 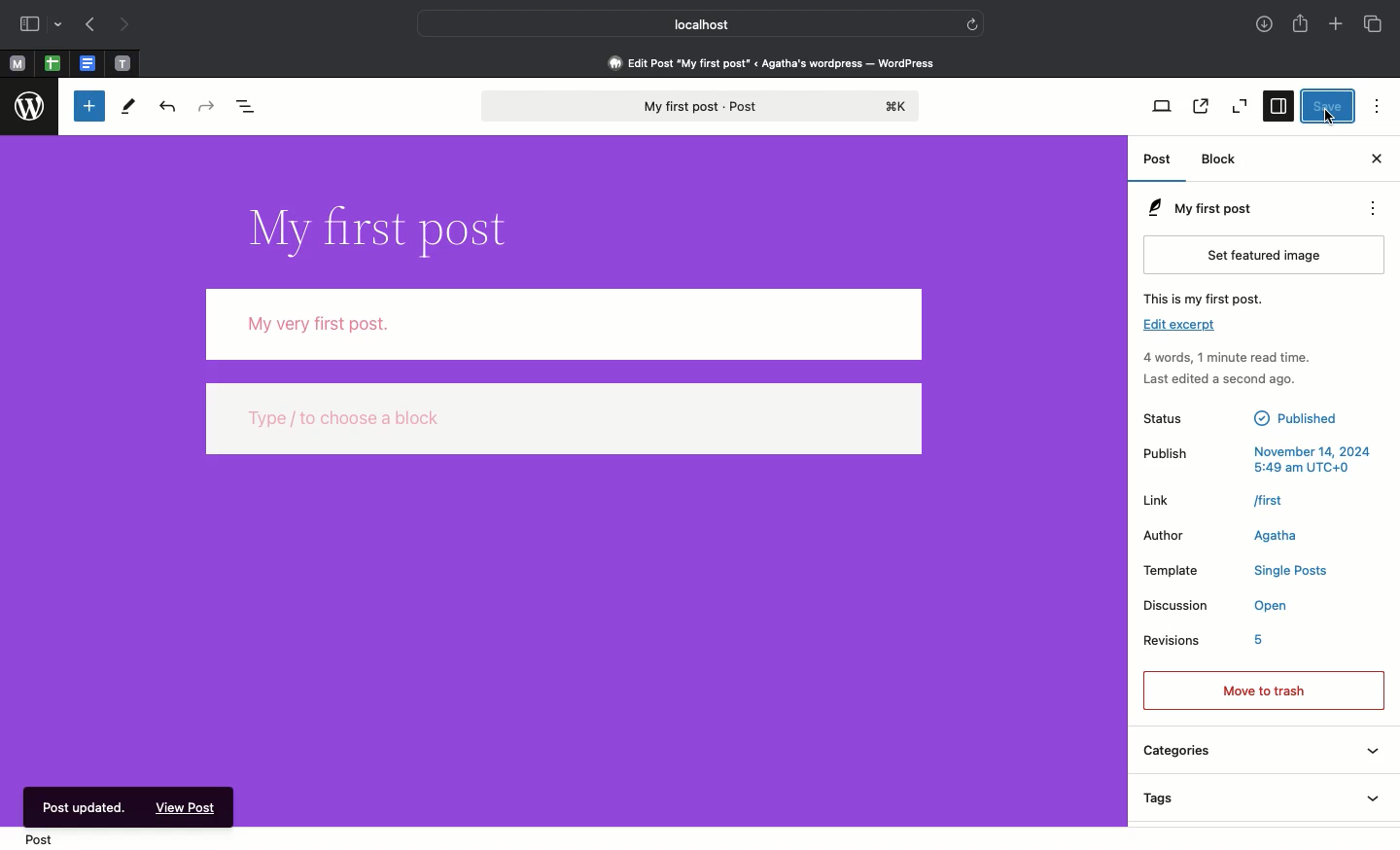 What do you see at coordinates (1381, 209) in the screenshot?
I see `Actions` at bounding box center [1381, 209].